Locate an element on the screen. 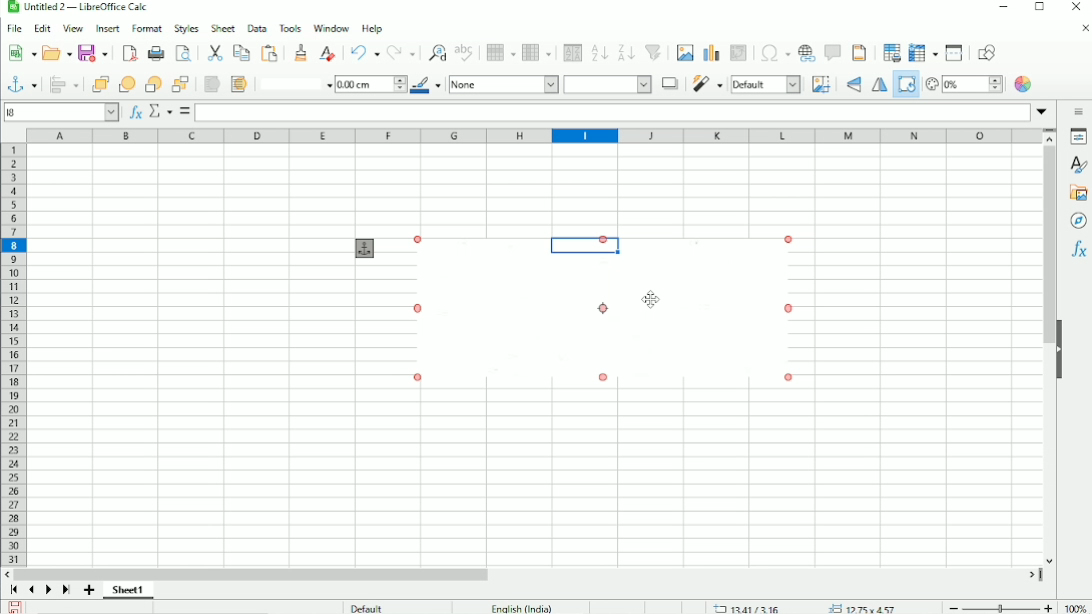  Shadow is located at coordinates (670, 84).